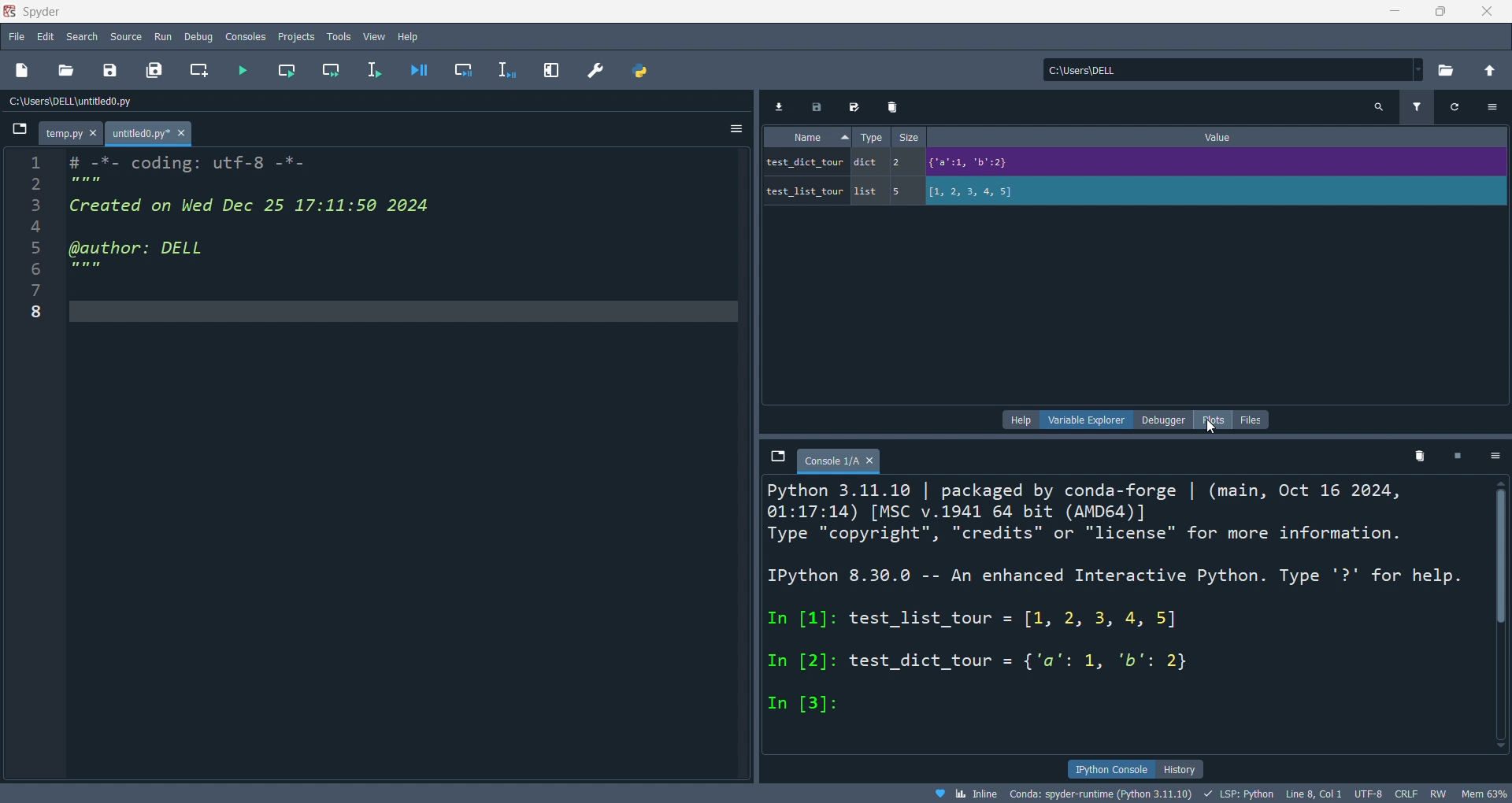  What do you see at coordinates (1454, 107) in the screenshot?
I see `refresh` at bounding box center [1454, 107].